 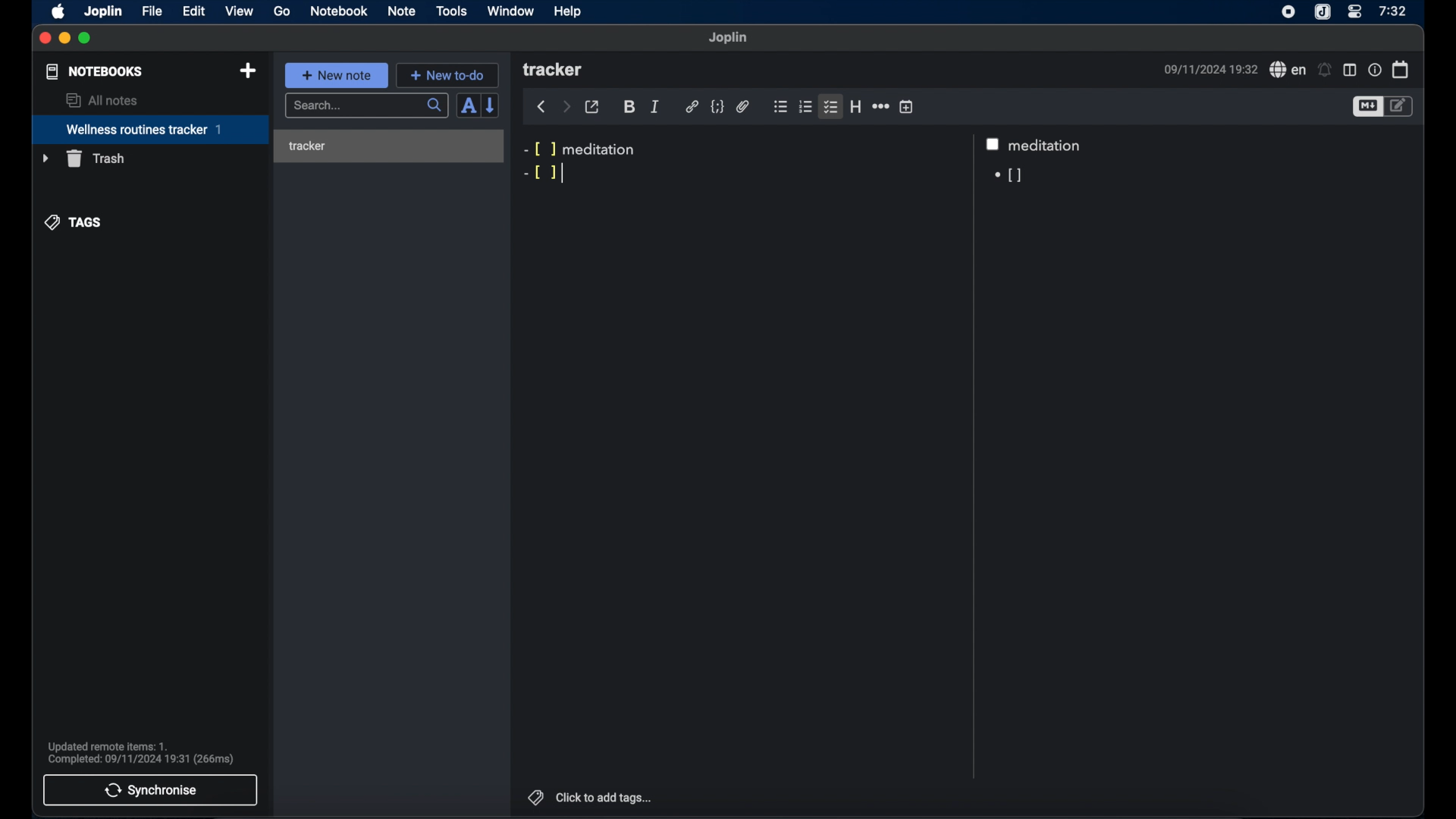 I want to click on notebooks, so click(x=95, y=71).